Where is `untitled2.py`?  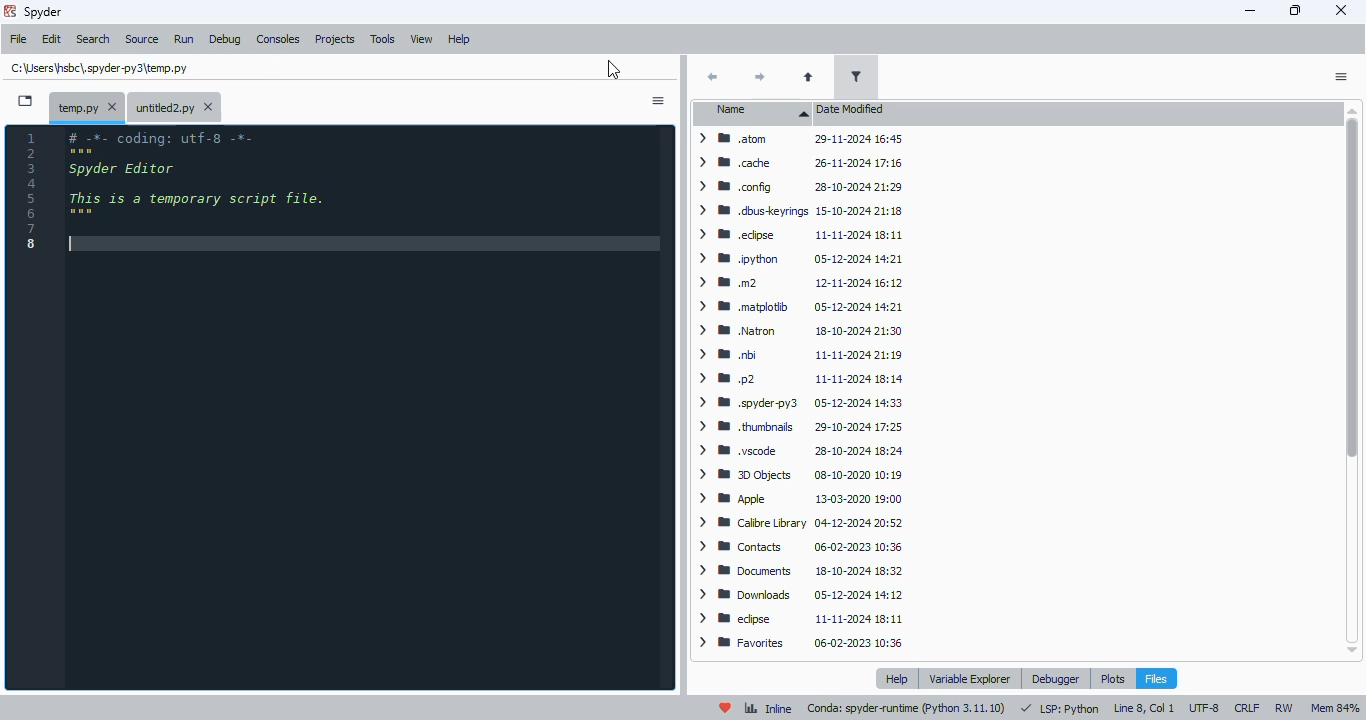 untitled2.py is located at coordinates (163, 106).